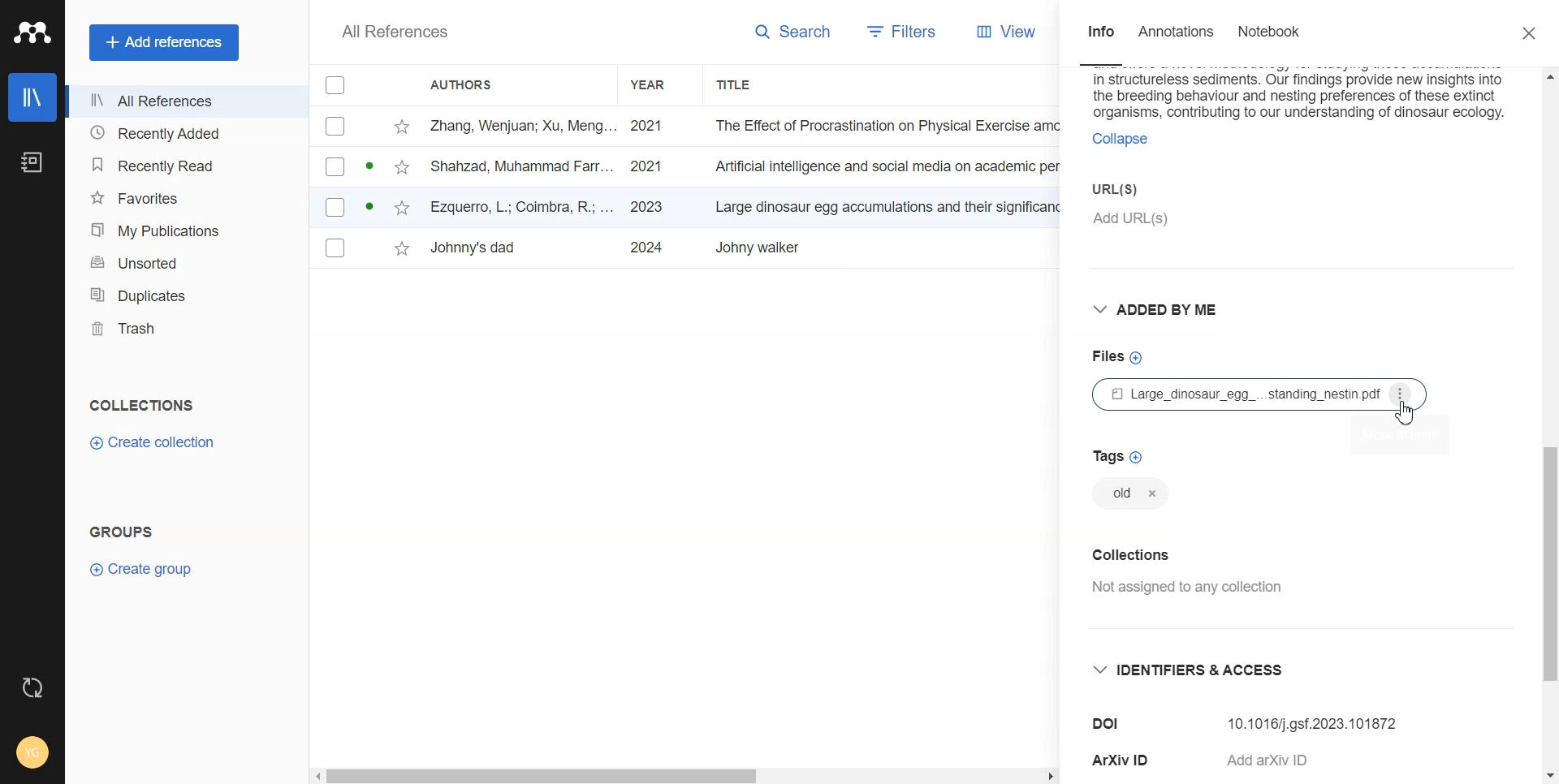 The width and height of the screenshot is (1559, 784). What do you see at coordinates (523, 126) in the screenshot?
I see `Zhang, Wenjuan` at bounding box center [523, 126].